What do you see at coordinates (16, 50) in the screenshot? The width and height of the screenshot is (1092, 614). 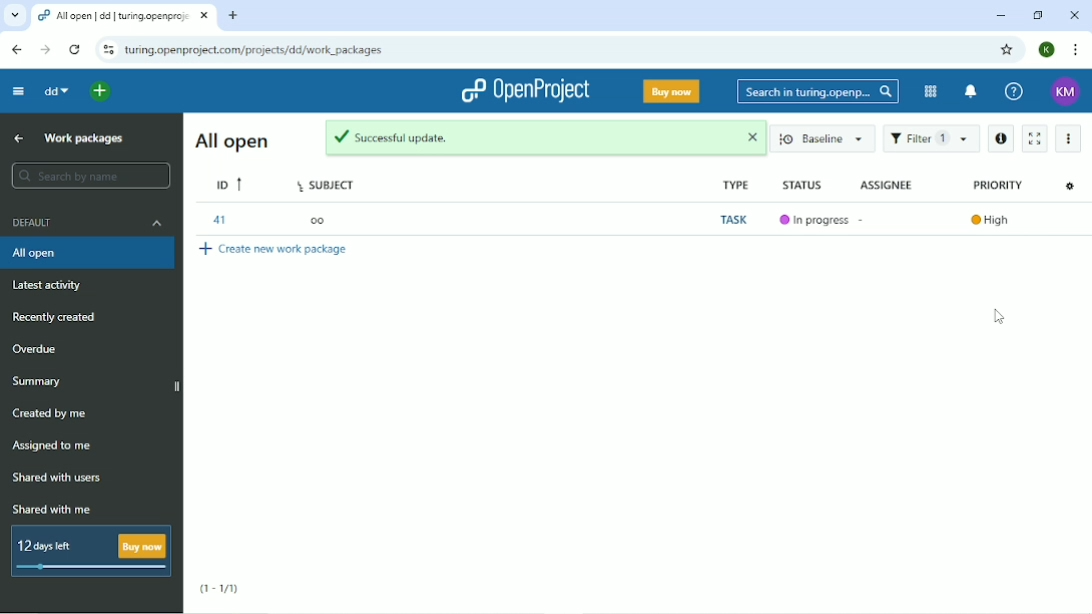 I see `Back` at bounding box center [16, 50].